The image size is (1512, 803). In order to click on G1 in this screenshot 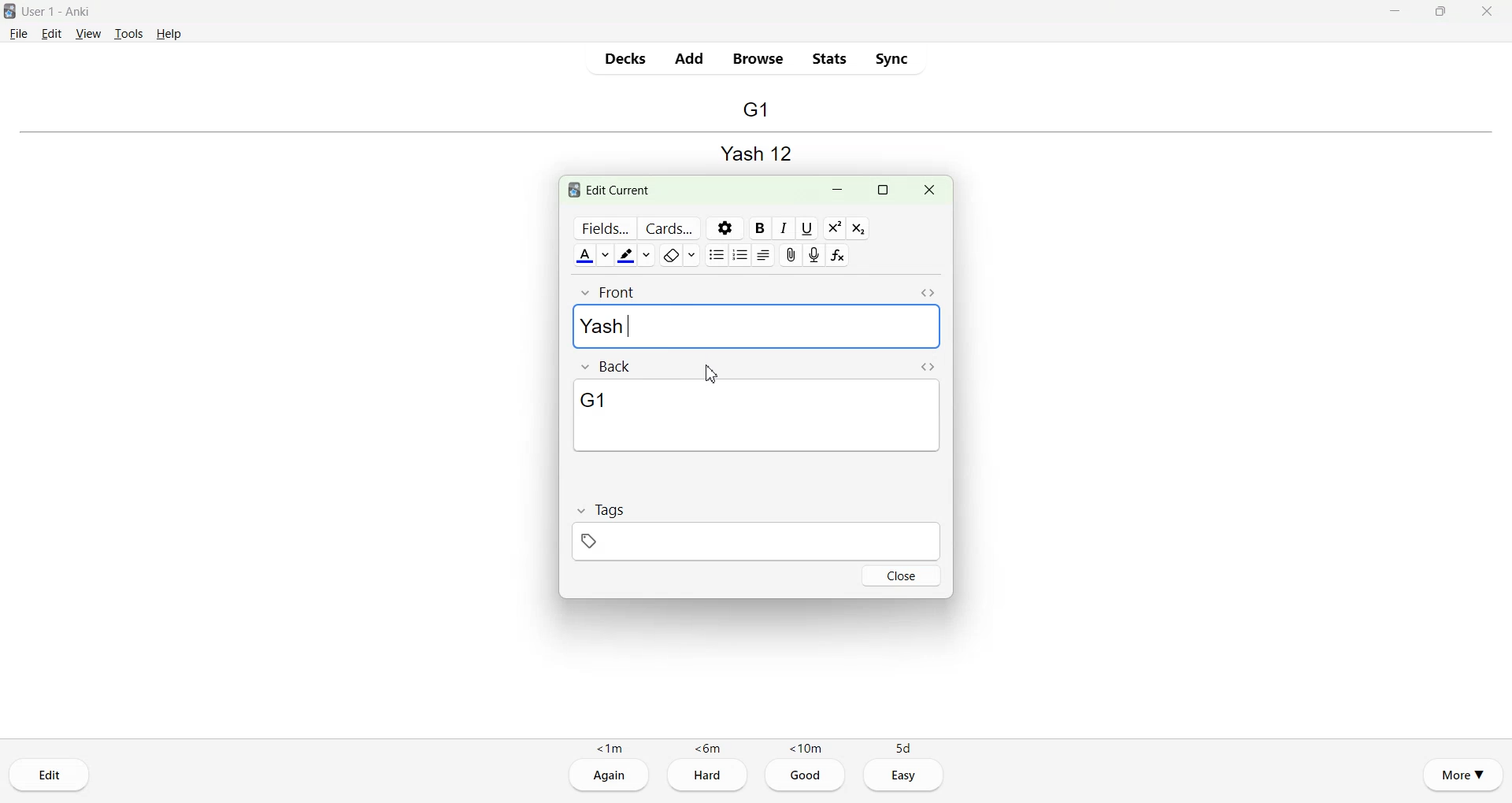, I will do `click(757, 416)`.